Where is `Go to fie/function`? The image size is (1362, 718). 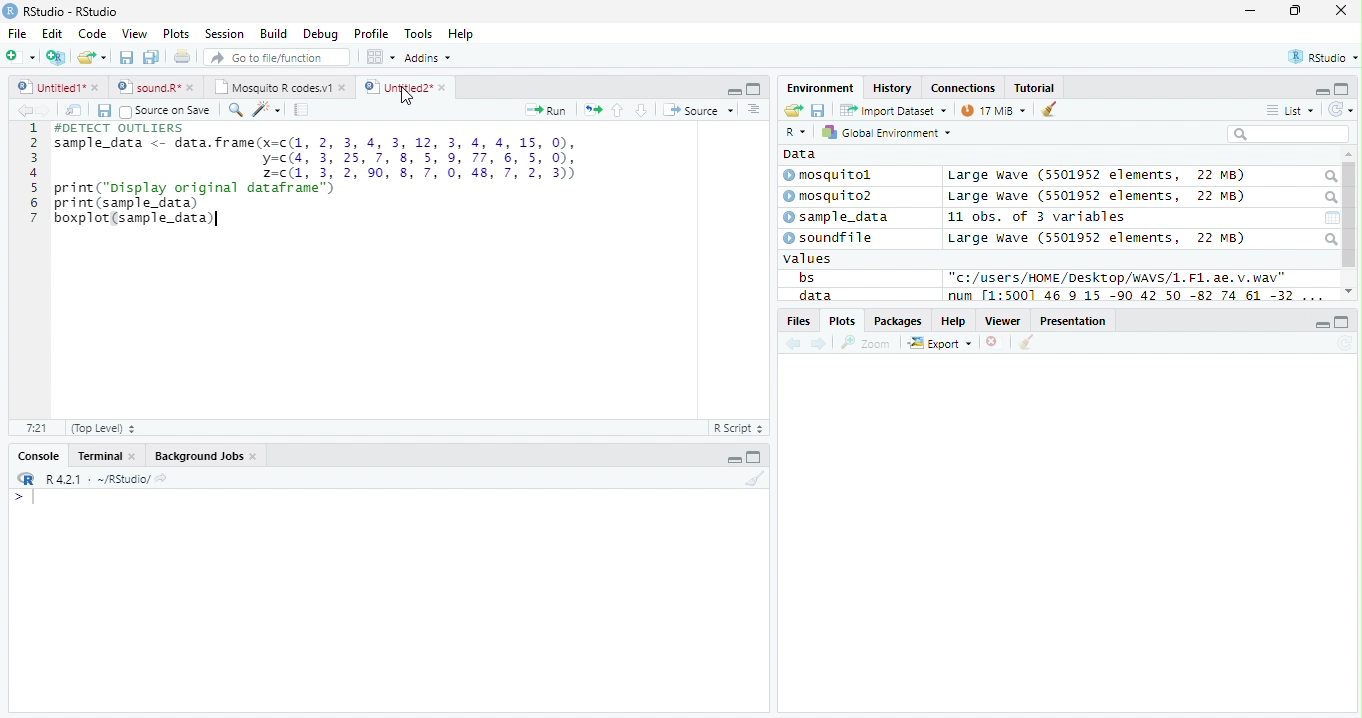 Go to fie/function is located at coordinates (277, 57).